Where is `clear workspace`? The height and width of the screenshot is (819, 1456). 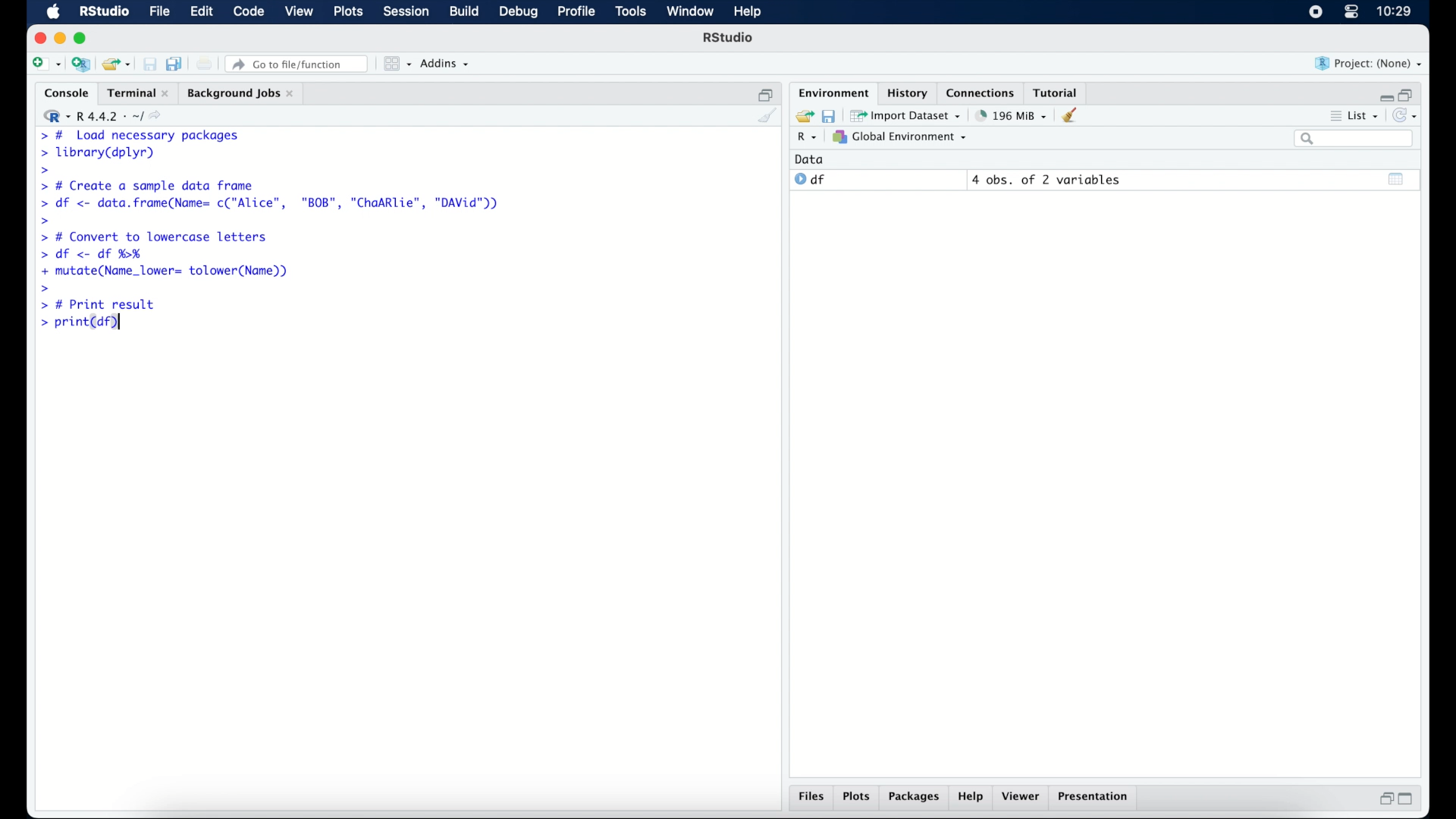
clear workspace is located at coordinates (1075, 116).